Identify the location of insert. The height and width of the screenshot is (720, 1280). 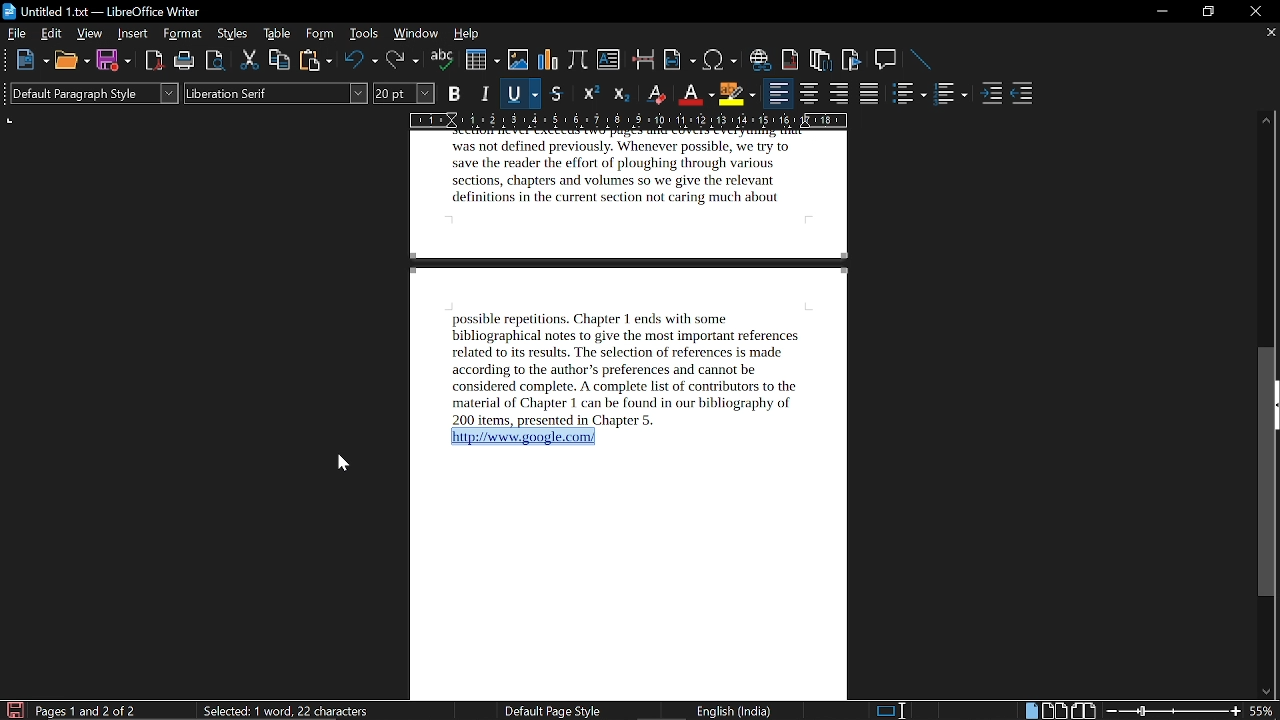
(133, 34).